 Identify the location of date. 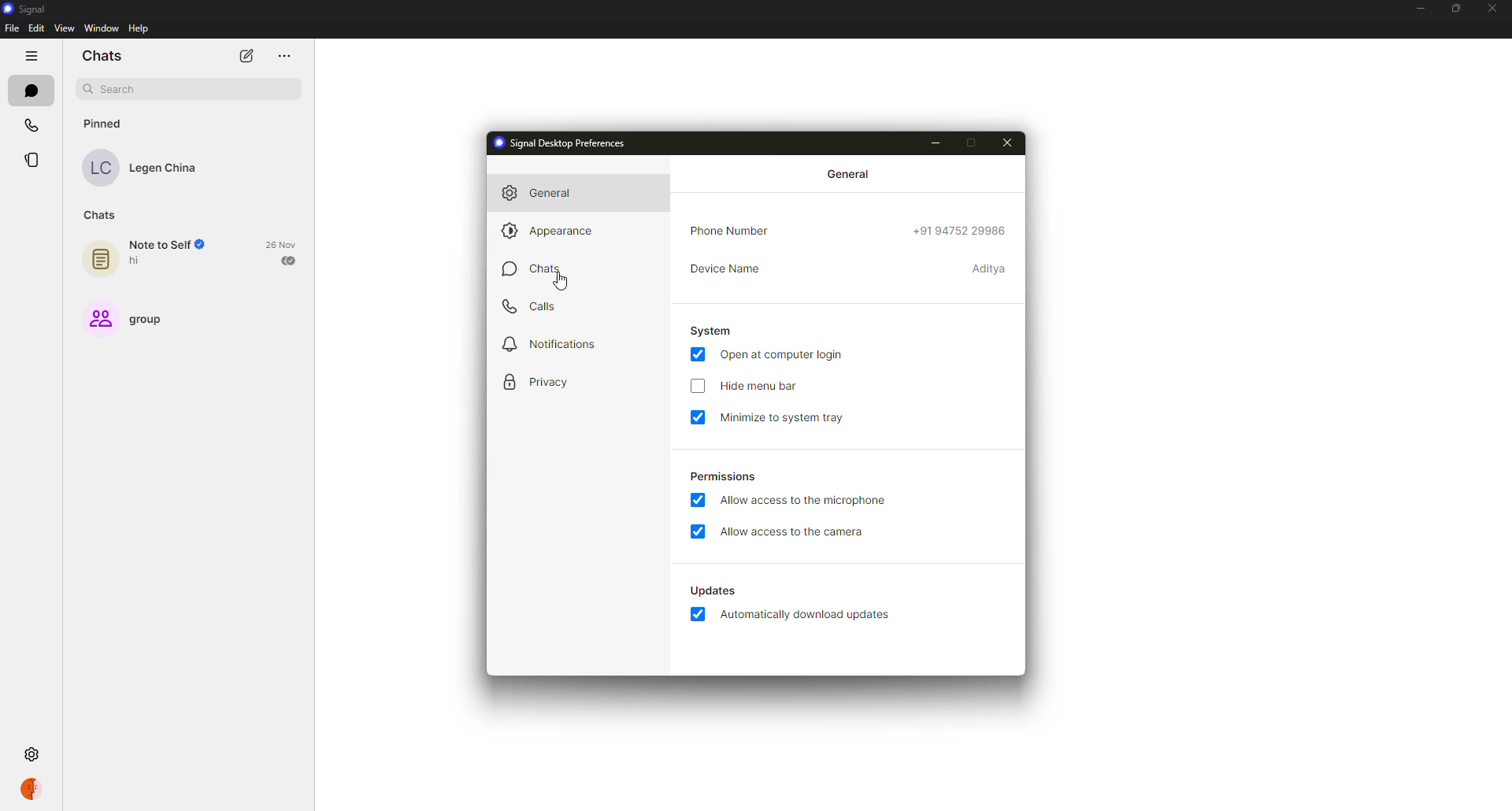
(281, 245).